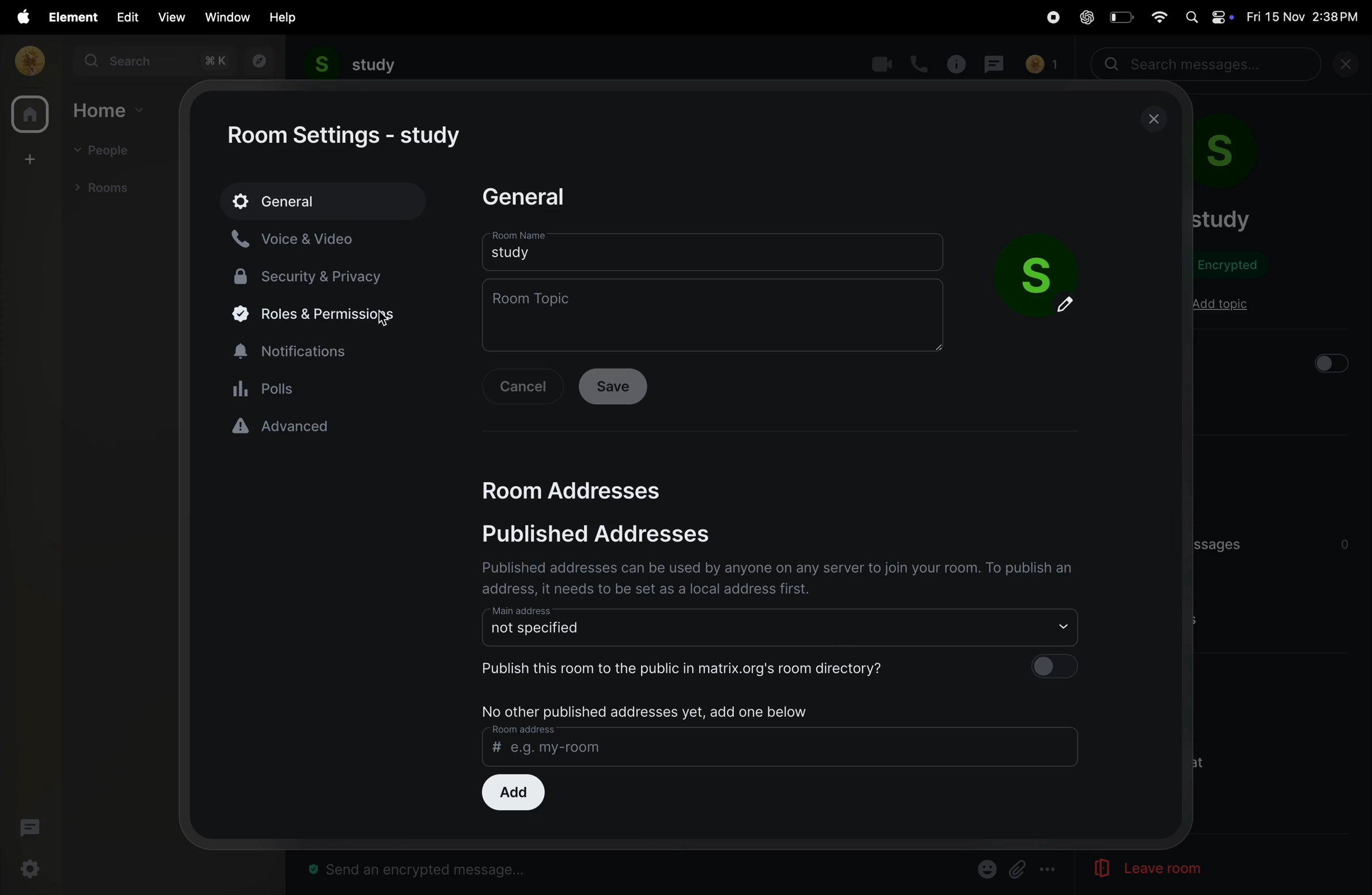 The height and width of the screenshot is (895, 1372). What do you see at coordinates (348, 136) in the screenshot?
I see `room settings -study` at bounding box center [348, 136].